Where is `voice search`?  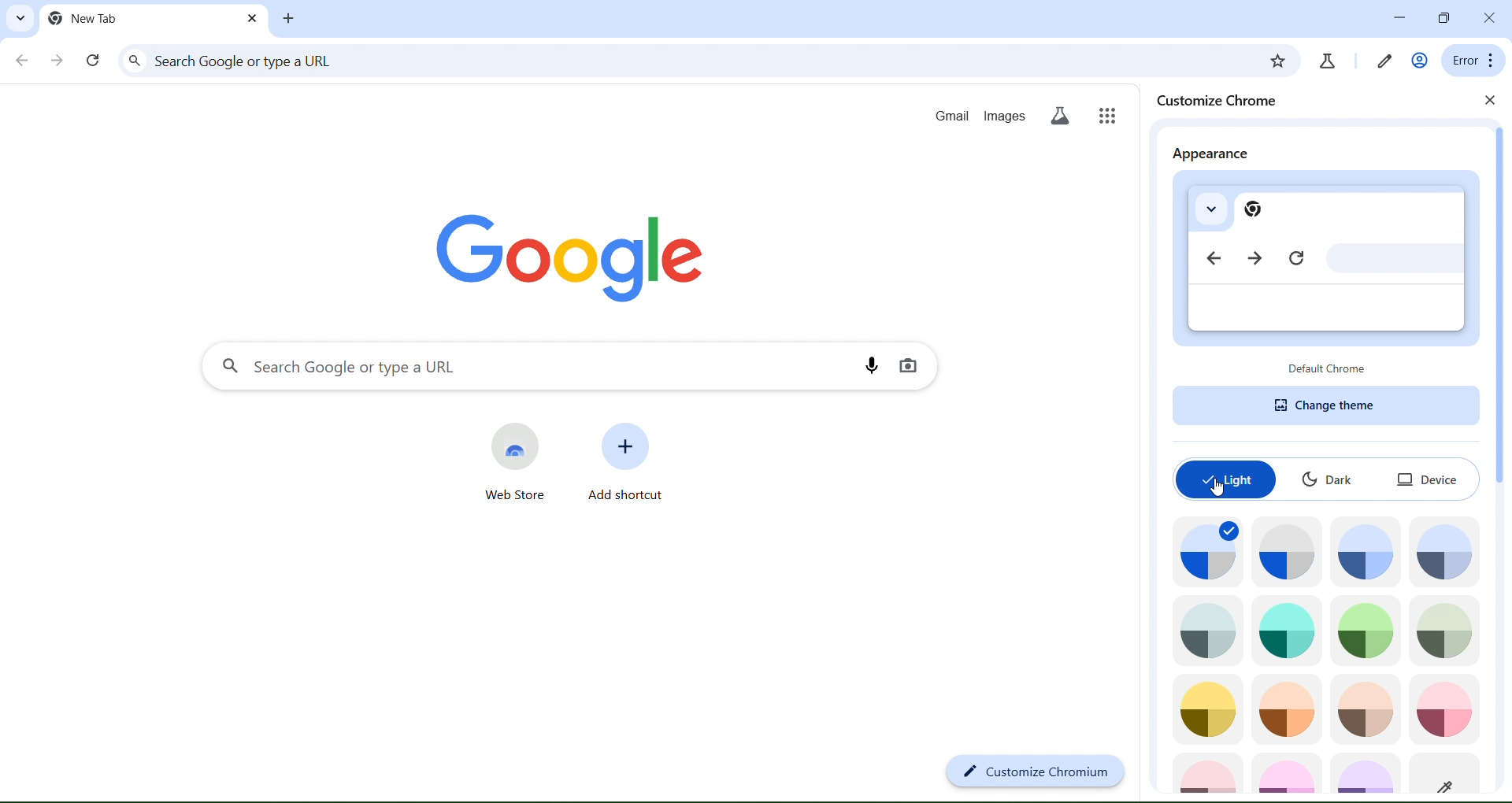 voice search is located at coordinates (875, 364).